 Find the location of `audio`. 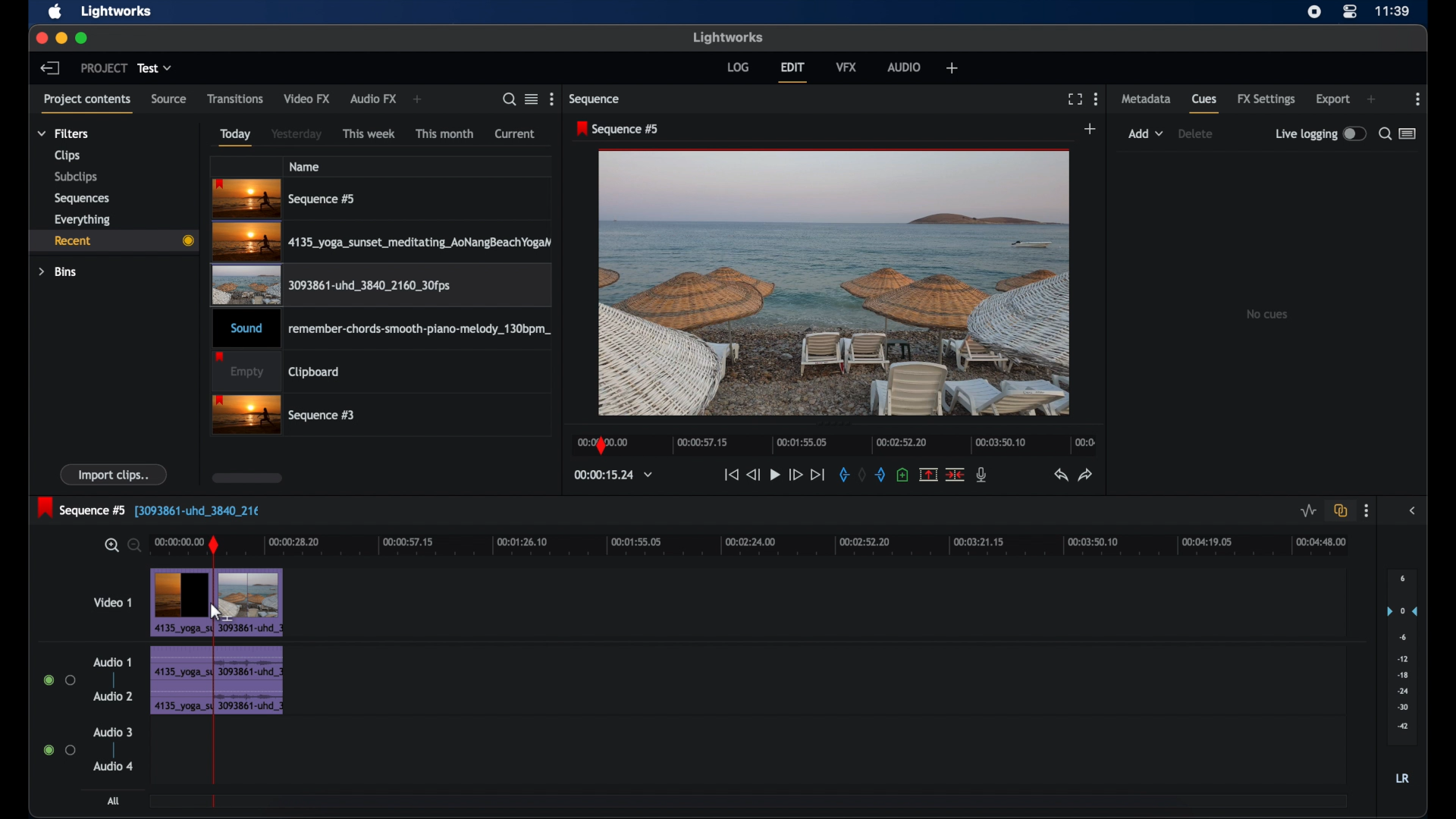

audio is located at coordinates (904, 67).